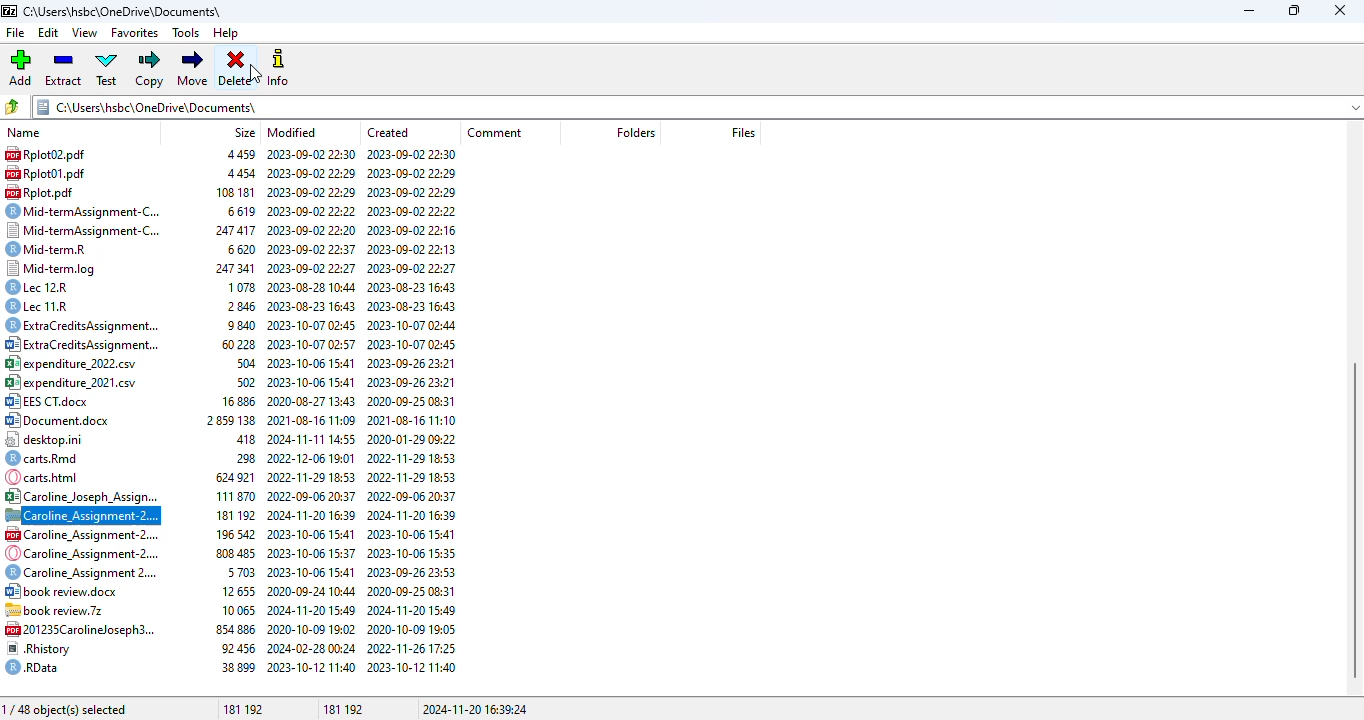 This screenshot has height=720, width=1364. Describe the element at coordinates (241, 709) in the screenshot. I see `181 192` at that location.